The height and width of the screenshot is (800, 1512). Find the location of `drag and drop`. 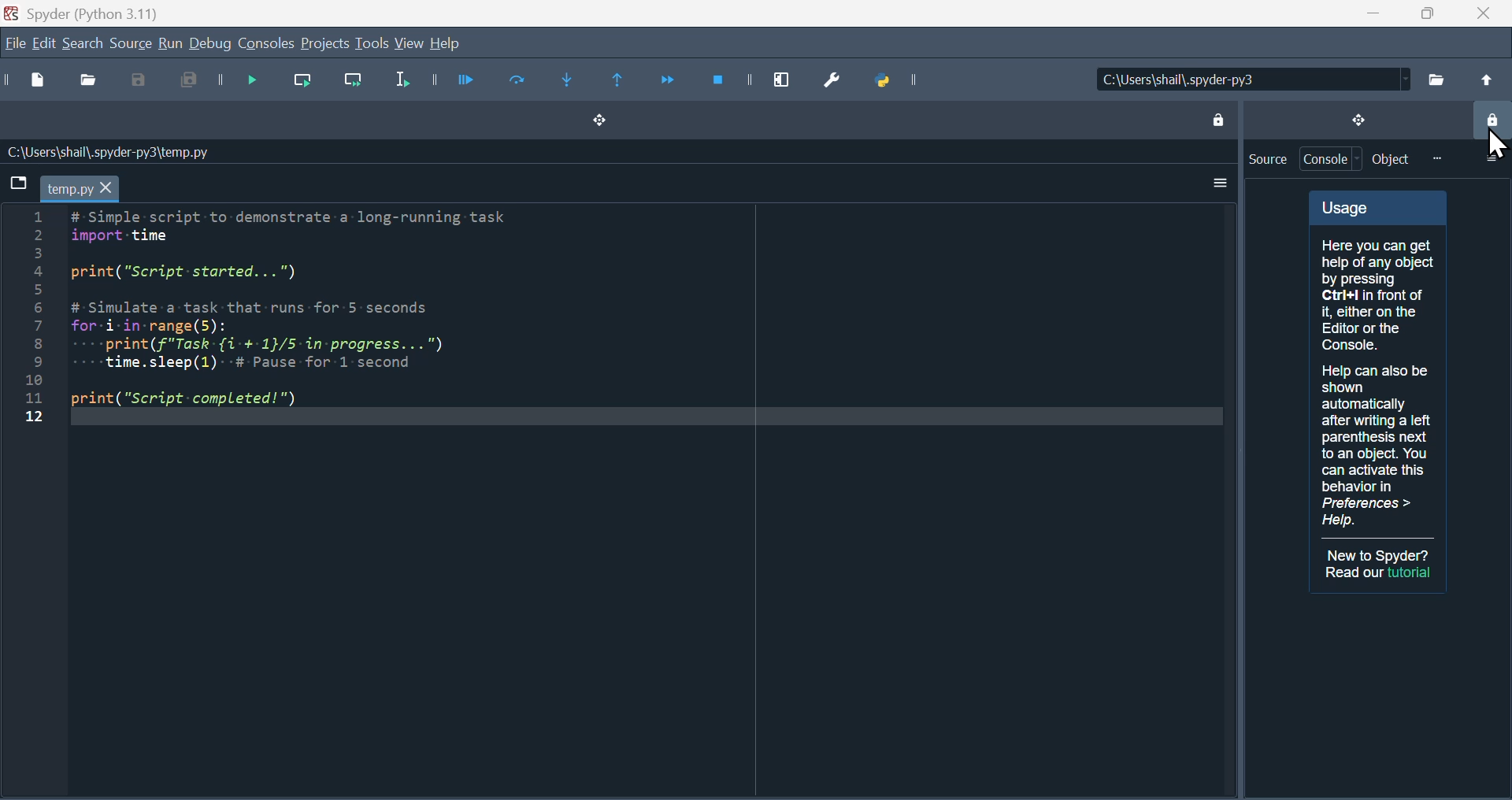

drag and drop is located at coordinates (1357, 119).